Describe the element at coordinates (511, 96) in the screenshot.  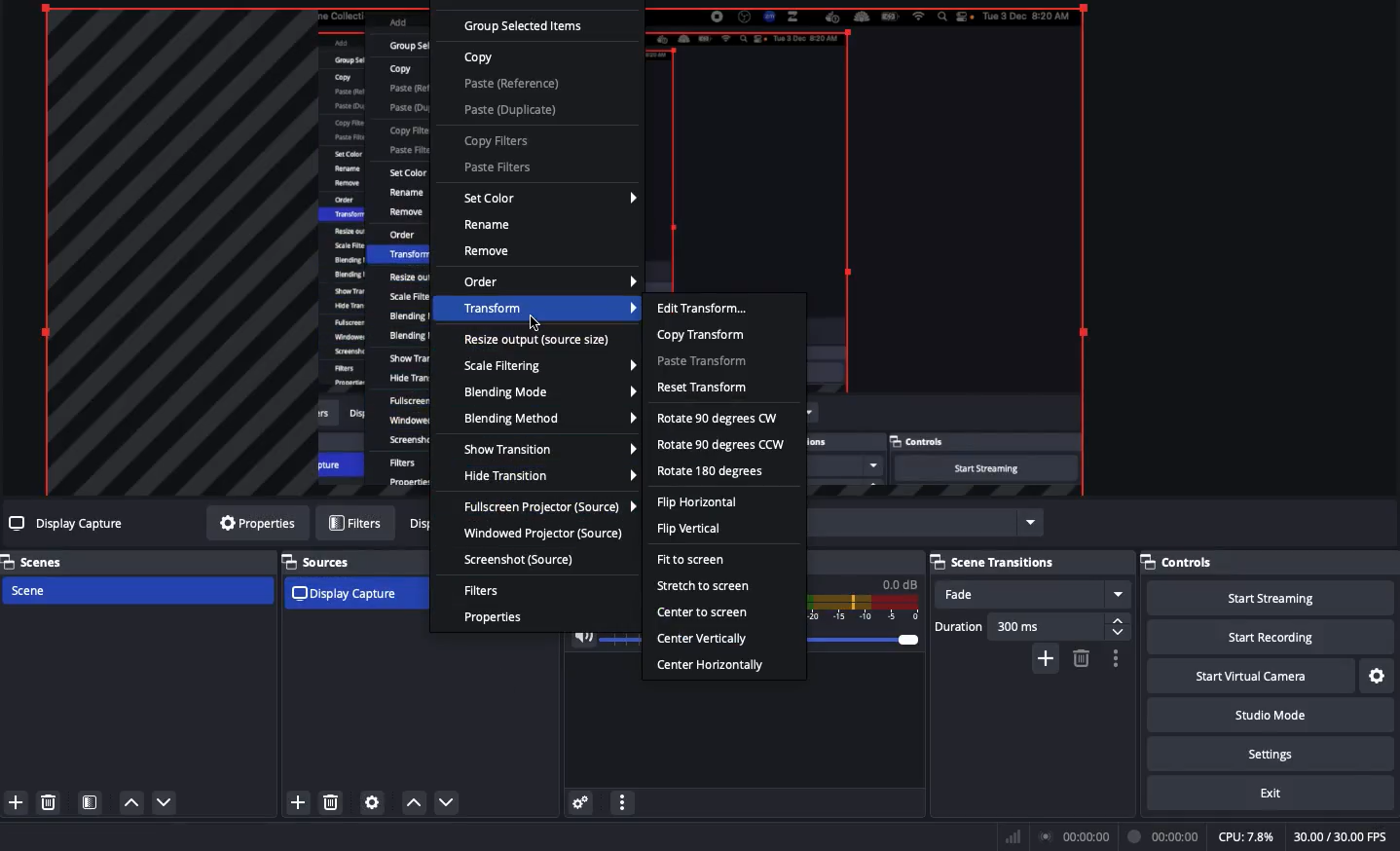
I see `Paste ` at that location.